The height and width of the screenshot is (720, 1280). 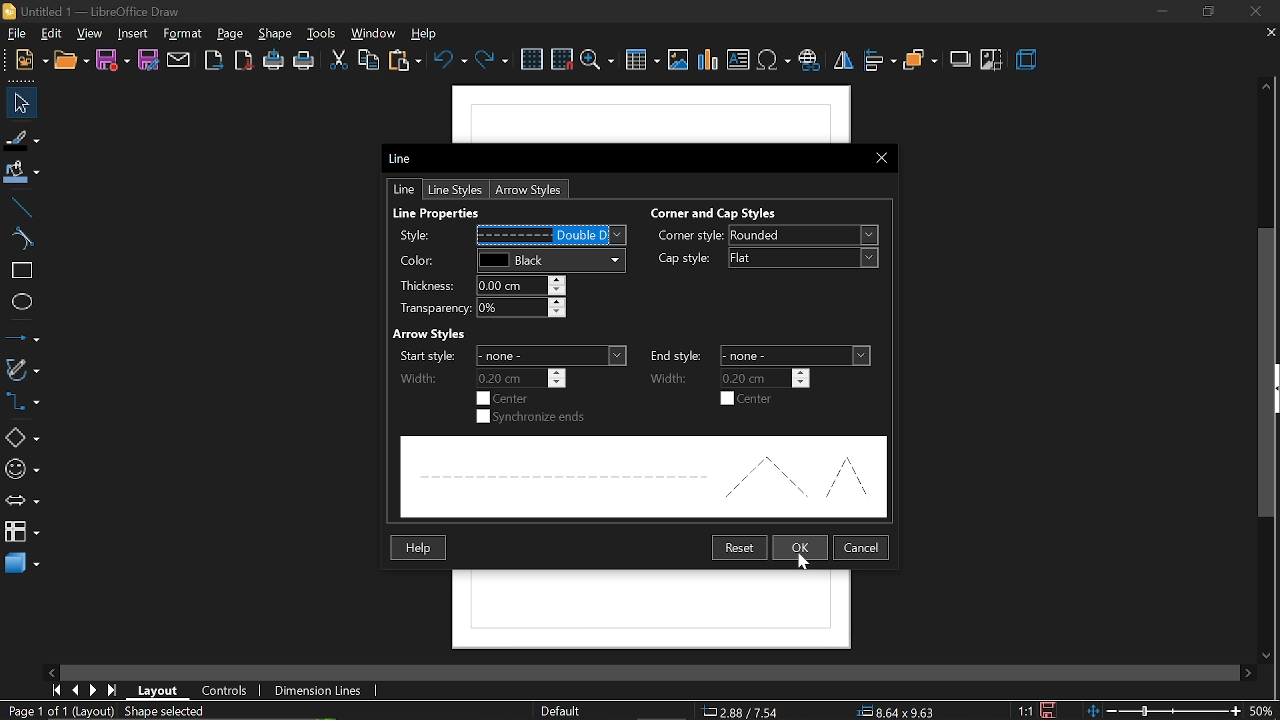 What do you see at coordinates (22, 501) in the screenshot?
I see `arrows` at bounding box center [22, 501].